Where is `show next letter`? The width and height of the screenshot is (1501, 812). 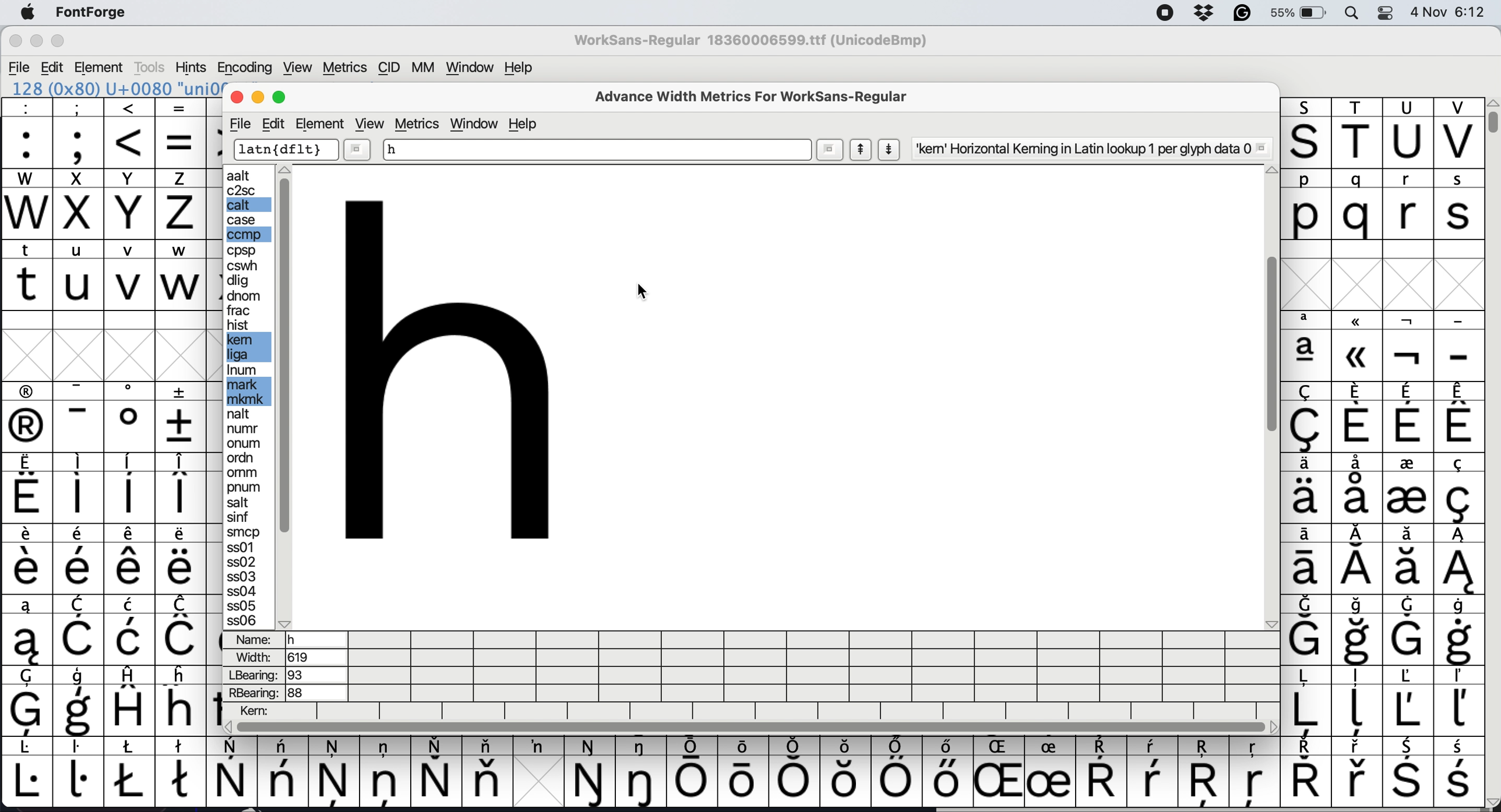 show next letter is located at coordinates (890, 151).